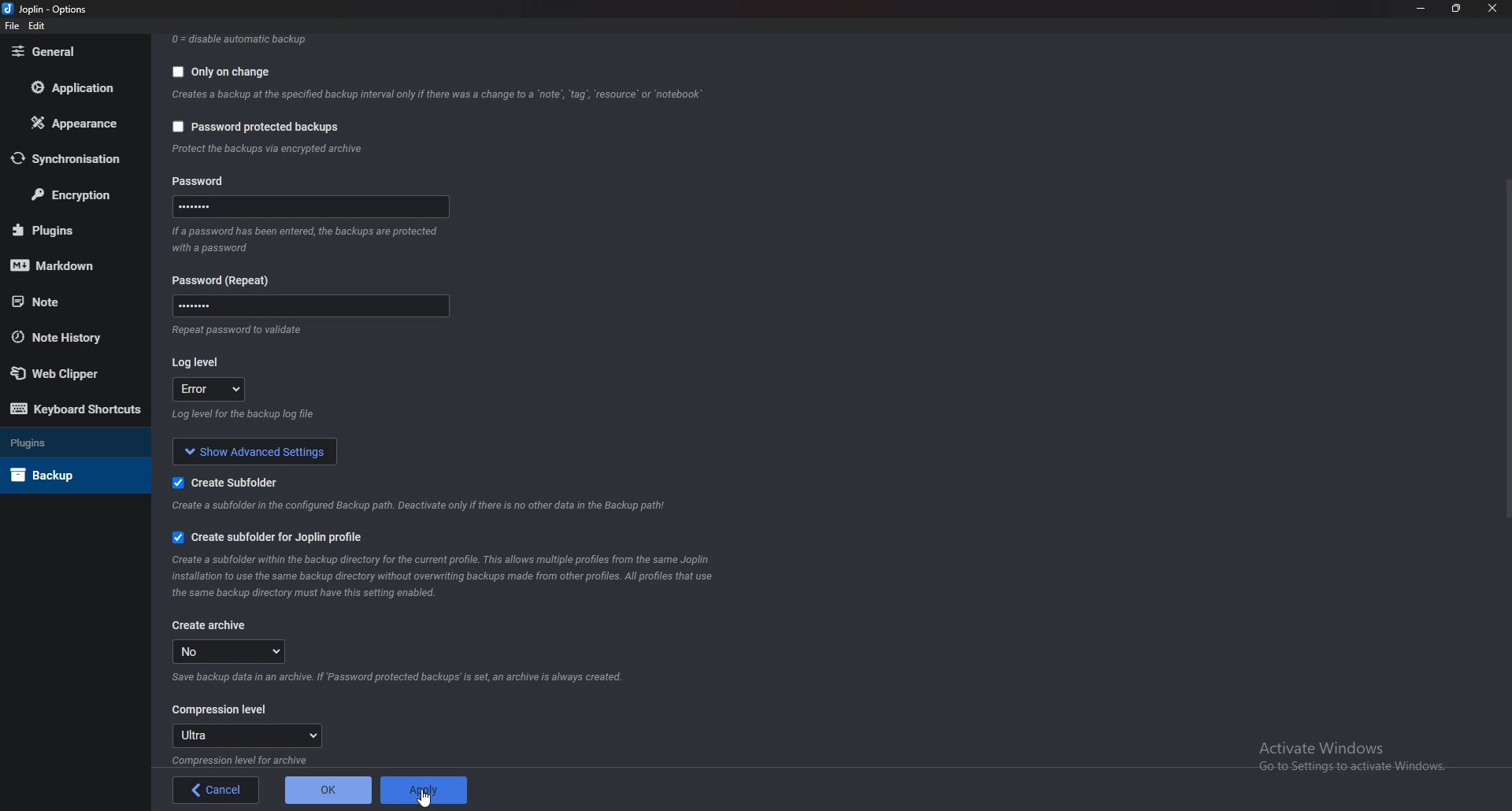 The width and height of the screenshot is (1512, 811). I want to click on error, so click(207, 388).